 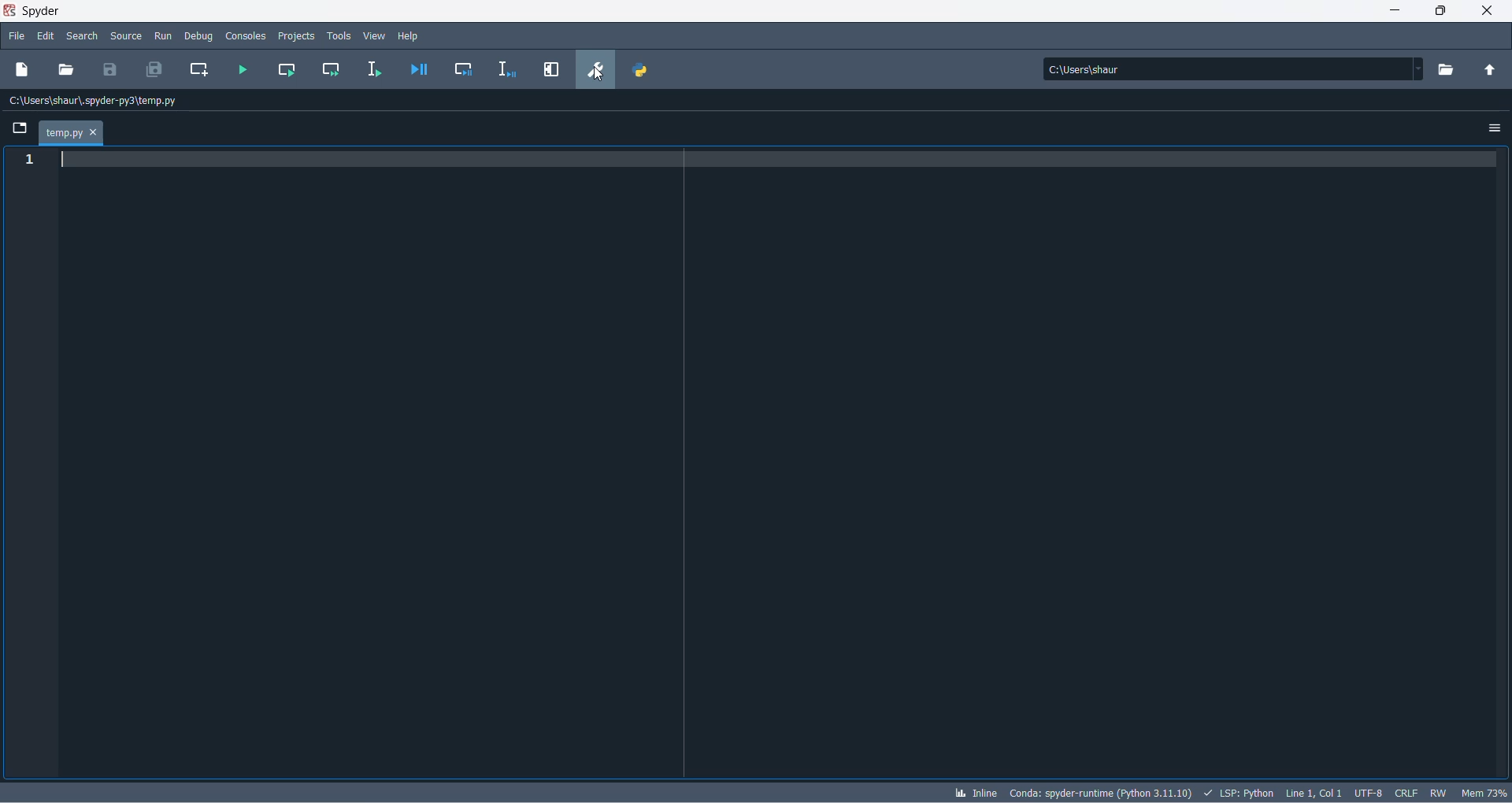 What do you see at coordinates (202, 36) in the screenshot?
I see `debug` at bounding box center [202, 36].